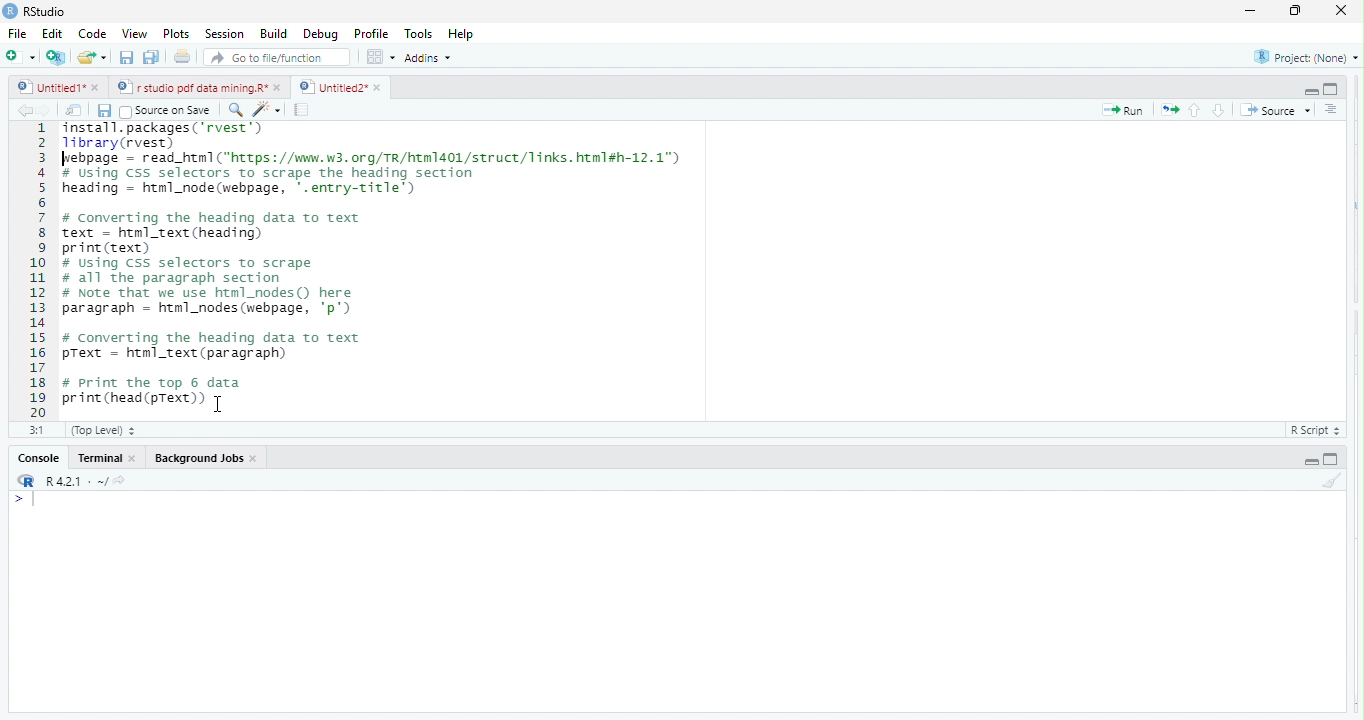  Describe the element at coordinates (1124, 111) in the screenshot. I see `run` at that location.